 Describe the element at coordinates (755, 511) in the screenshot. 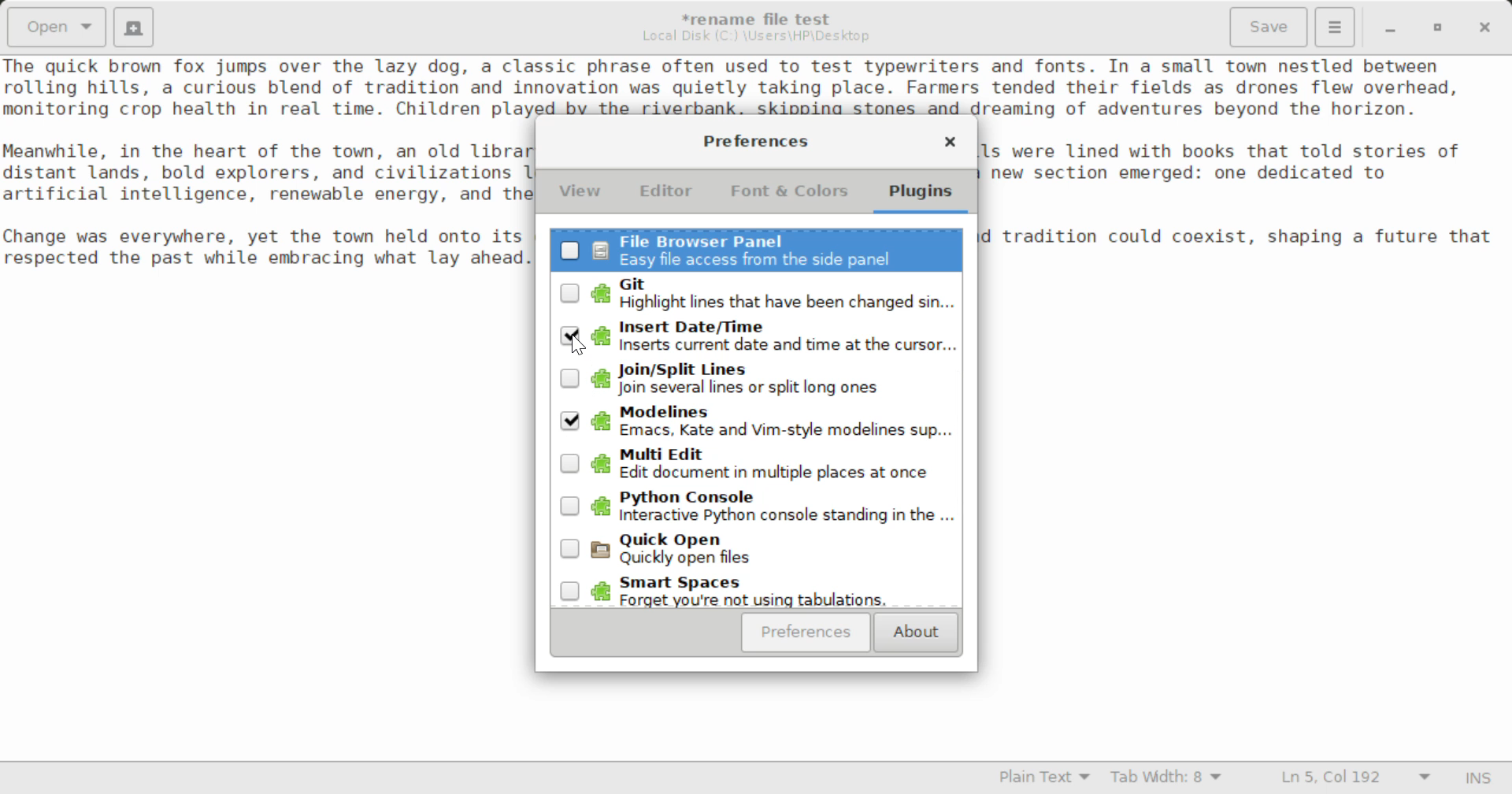

I see `Unselected Python Console` at that location.